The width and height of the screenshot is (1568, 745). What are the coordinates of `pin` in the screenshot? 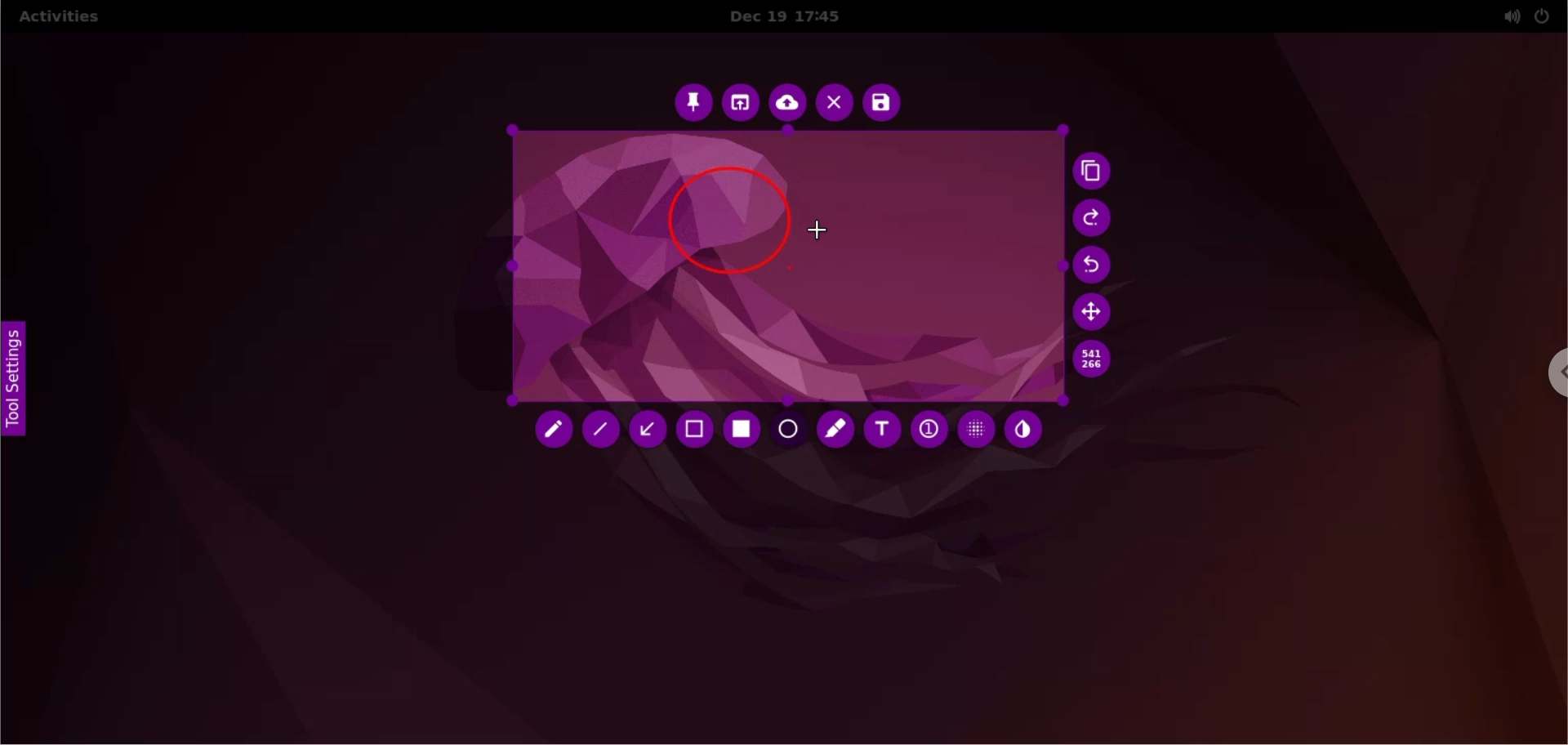 It's located at (693, 101).